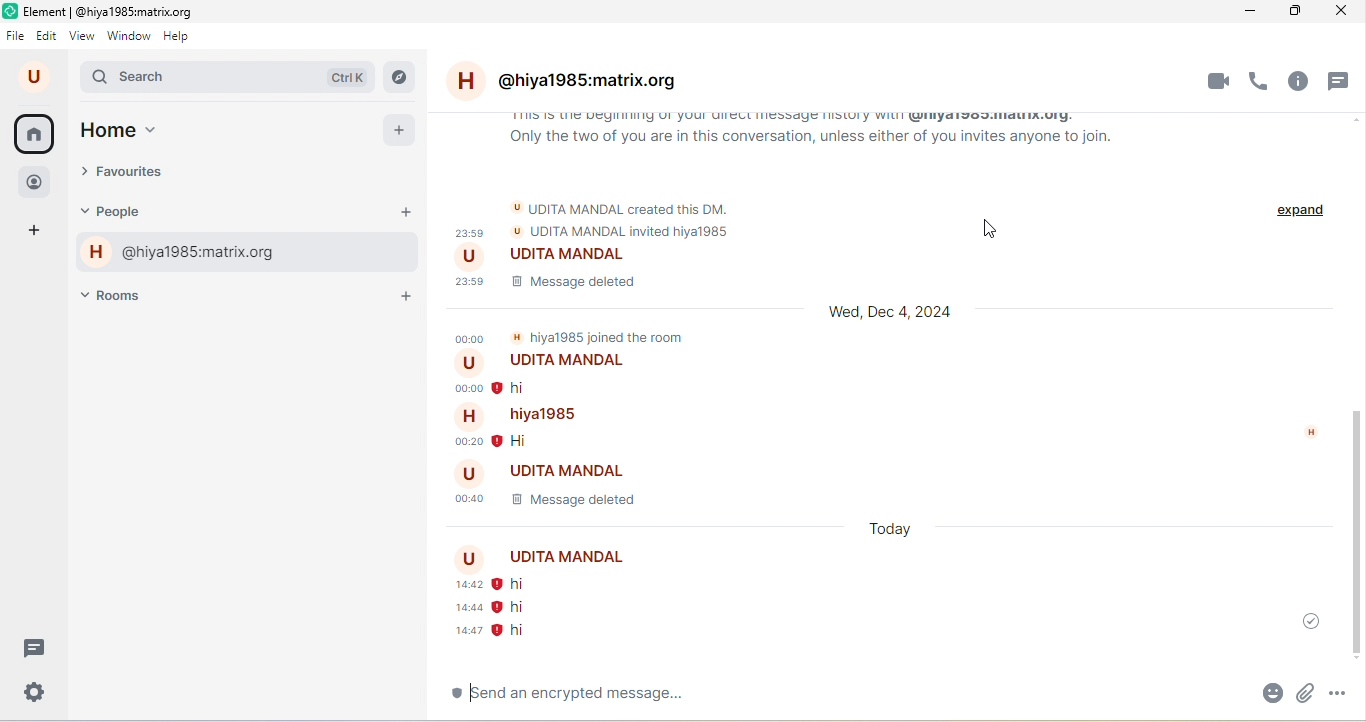 The height and width of the screenshot is (722, 1366). I want to click on add, so click(400, 131).